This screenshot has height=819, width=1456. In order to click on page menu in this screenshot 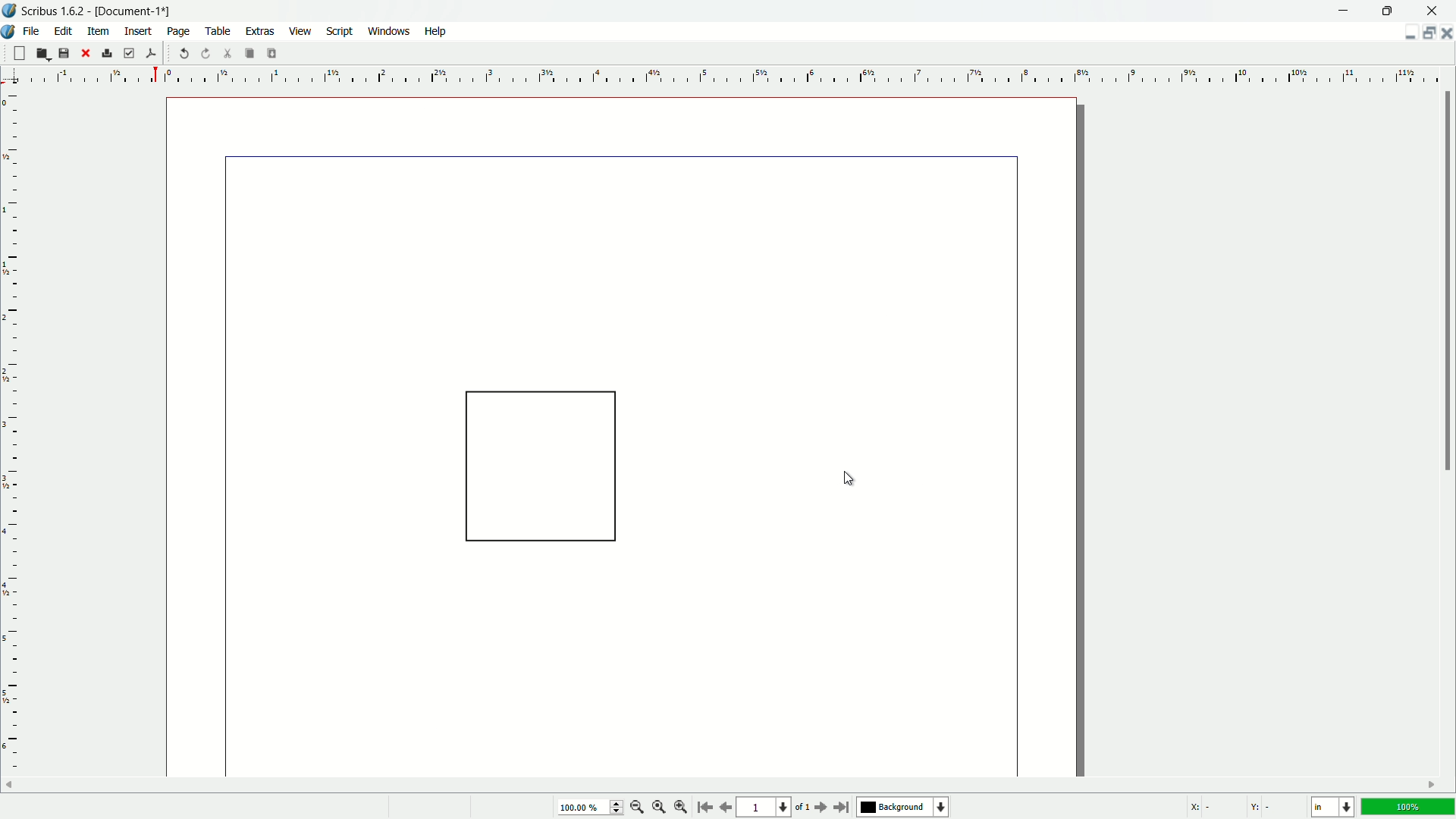, I will do `click(179, 32)`.